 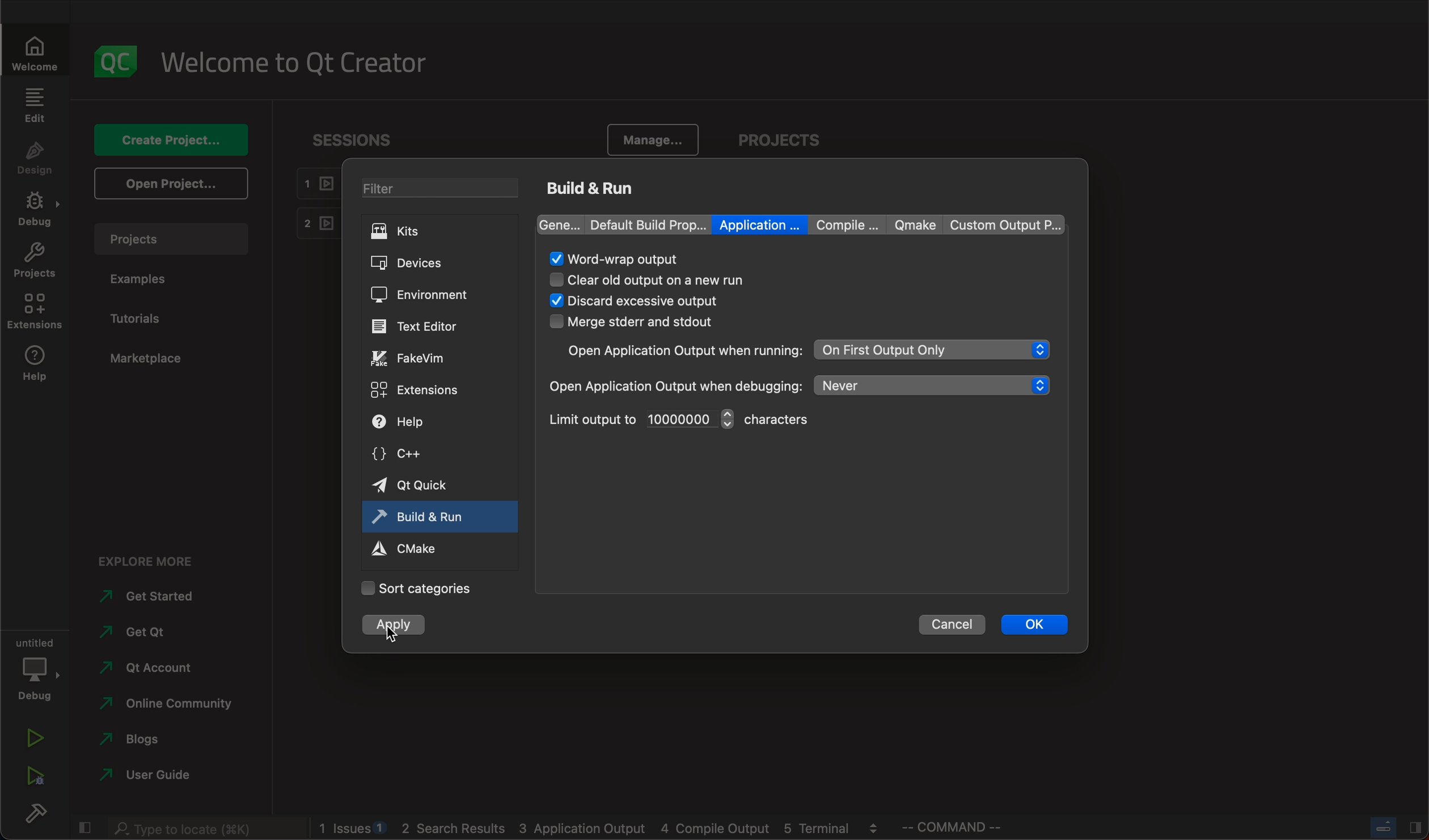 What do you see at coordinates (439, 231) in the screenshot?
I see `kits` at bounding box center [439, 231].